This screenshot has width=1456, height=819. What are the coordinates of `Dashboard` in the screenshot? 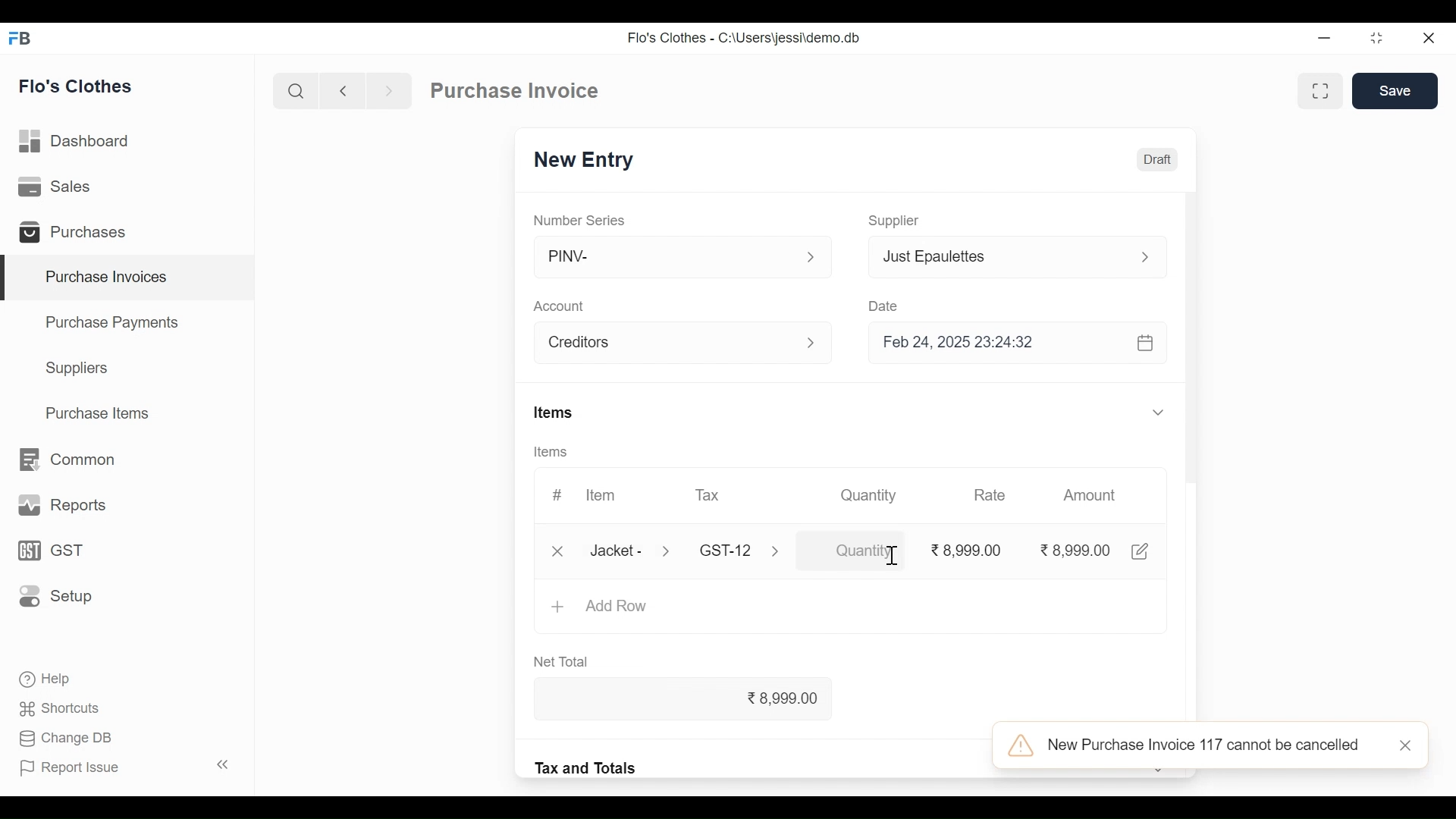 It's located at (82, 142).